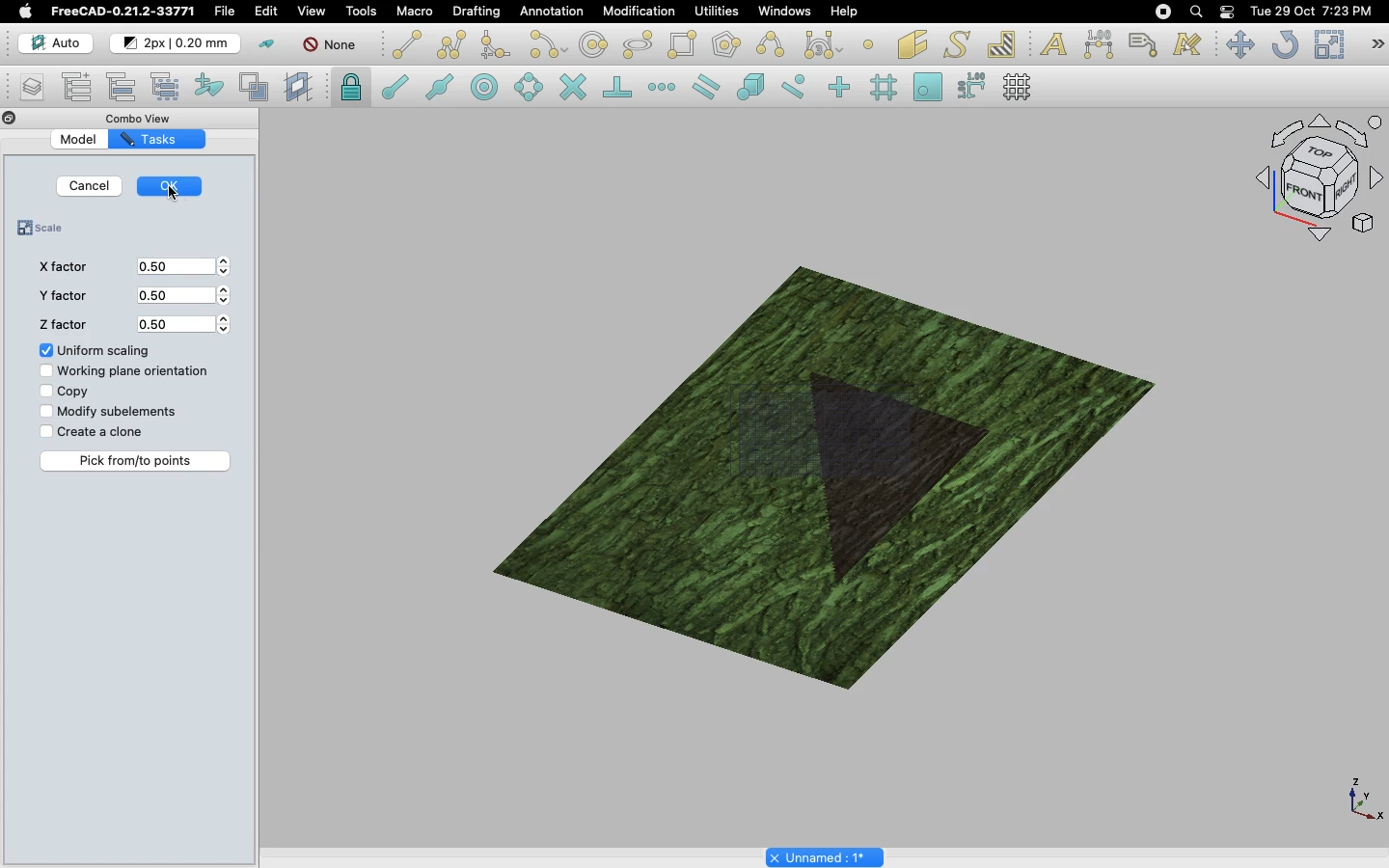  What do you see at coordinates (748, 85) in the screenshot?
I see `Snap special` at bounding box center [748, 85].